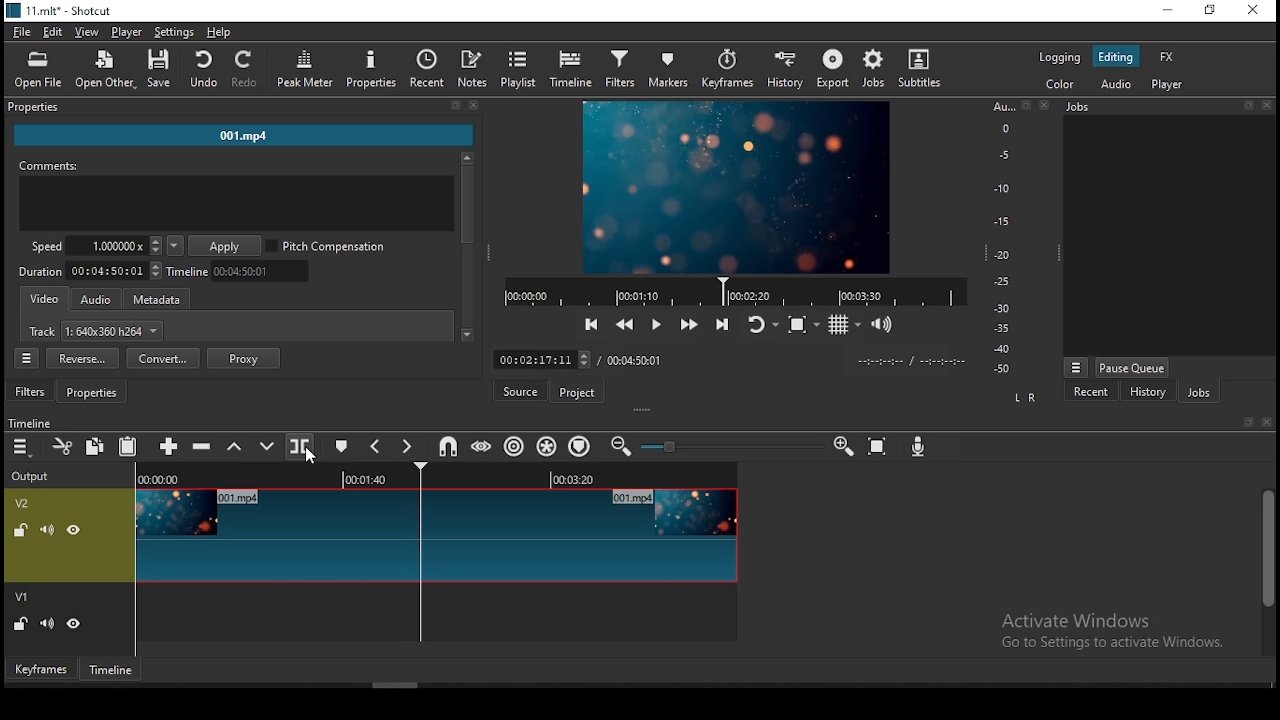 The height and width of the screenshot is (720, 1280). What do you see at coordinates (306, 68) in the screenshot?
I see `peak meter` at bounding box center [306, 68].